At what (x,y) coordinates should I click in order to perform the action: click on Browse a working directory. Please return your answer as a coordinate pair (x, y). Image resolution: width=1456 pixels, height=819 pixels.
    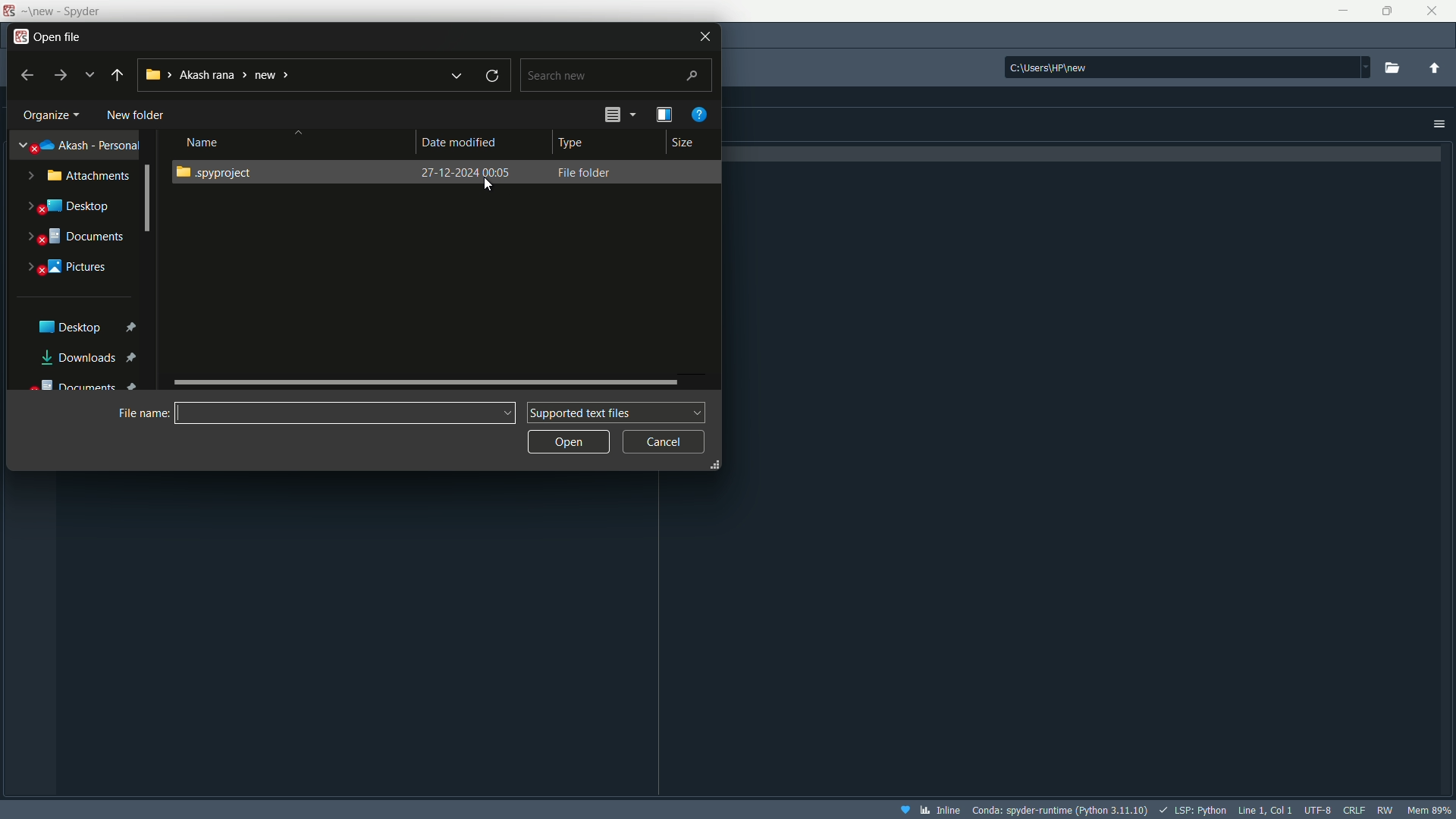
    Looking at the image, I should click on (1392, 67).